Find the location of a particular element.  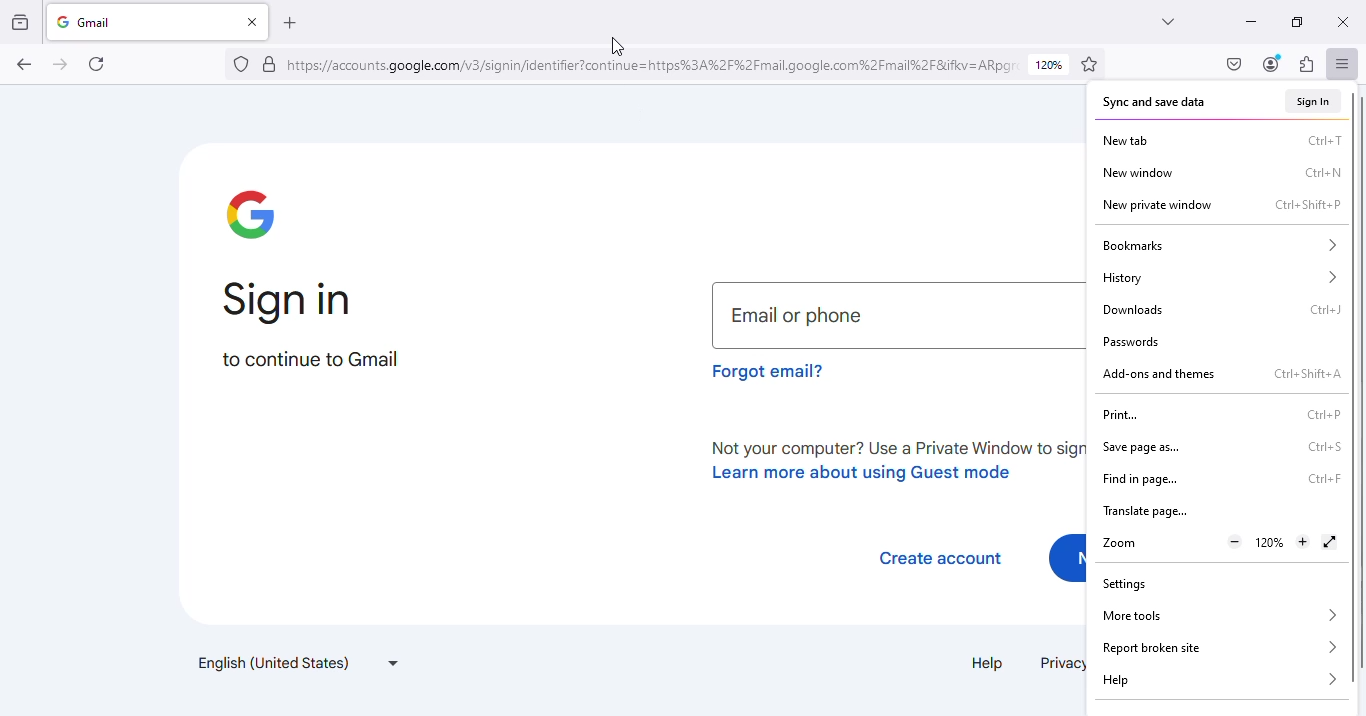

help is located at coordinates (988, 663).